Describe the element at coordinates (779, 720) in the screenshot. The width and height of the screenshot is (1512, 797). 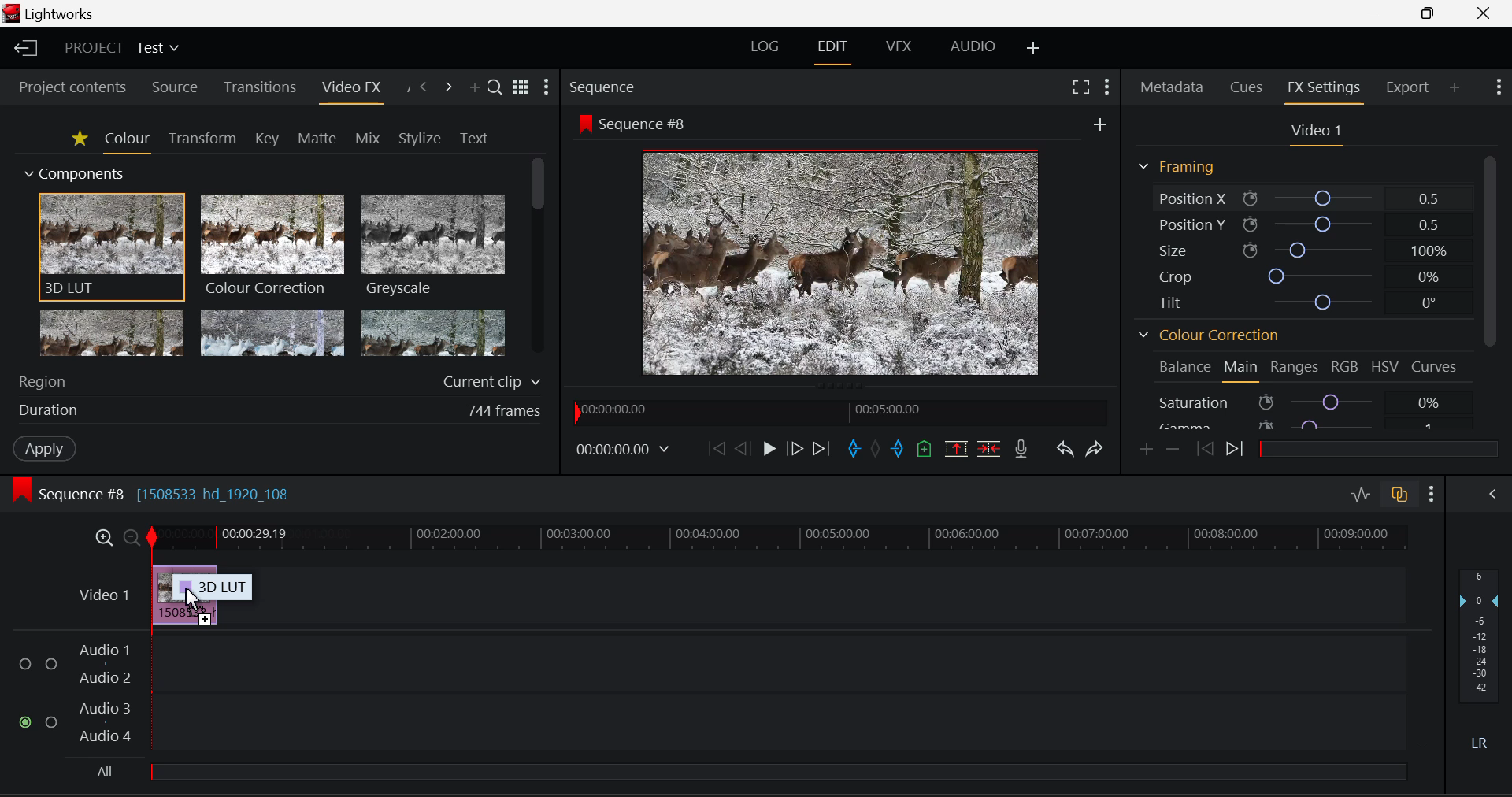
I see `Audio Track` at that location.